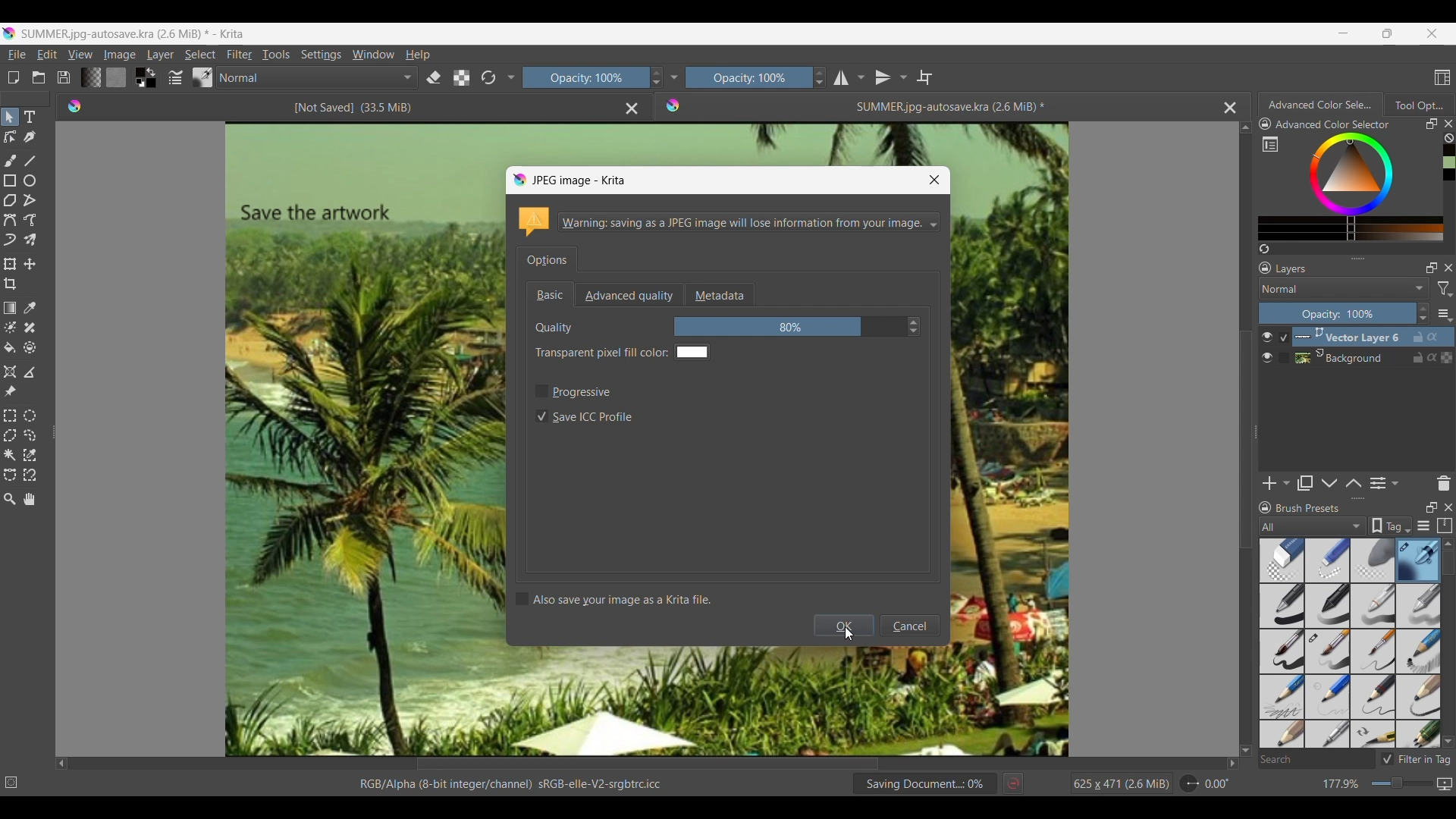 This screenshot has width=1456, height=819. I want to click on Basic subtab, current selection, so click(550, 293).